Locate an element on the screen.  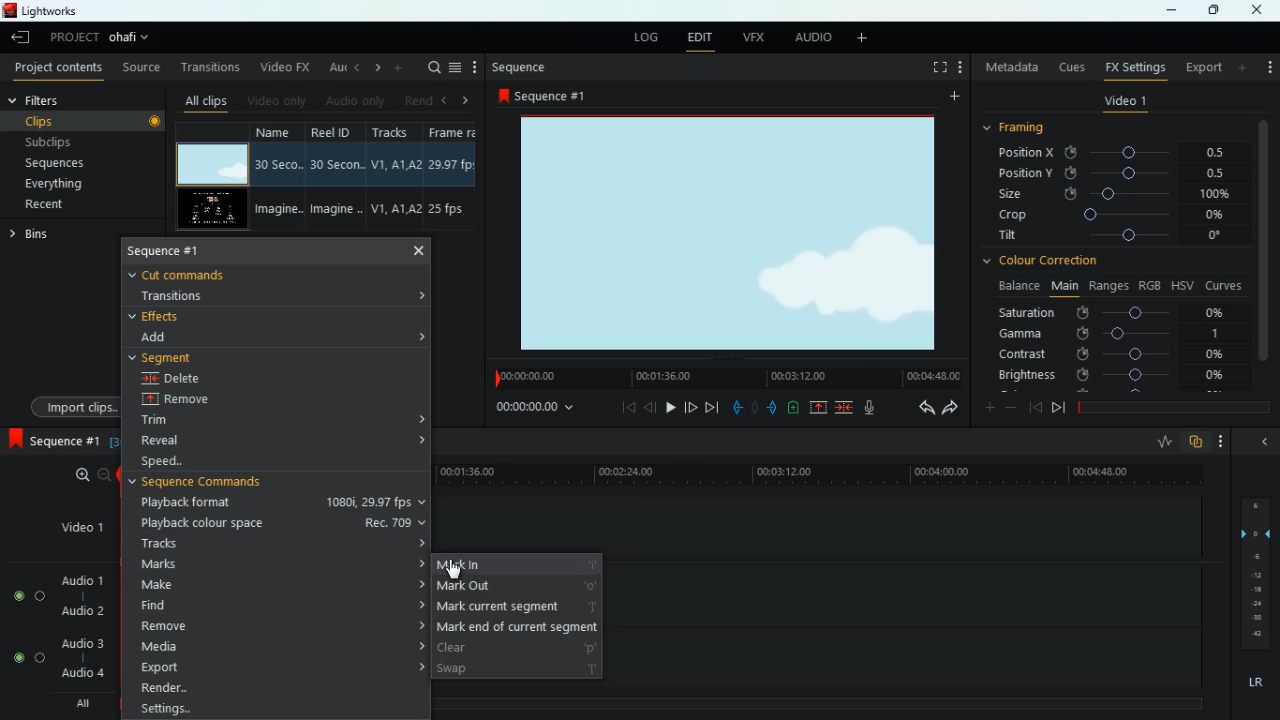
marks is located at coordinates (281, 566).